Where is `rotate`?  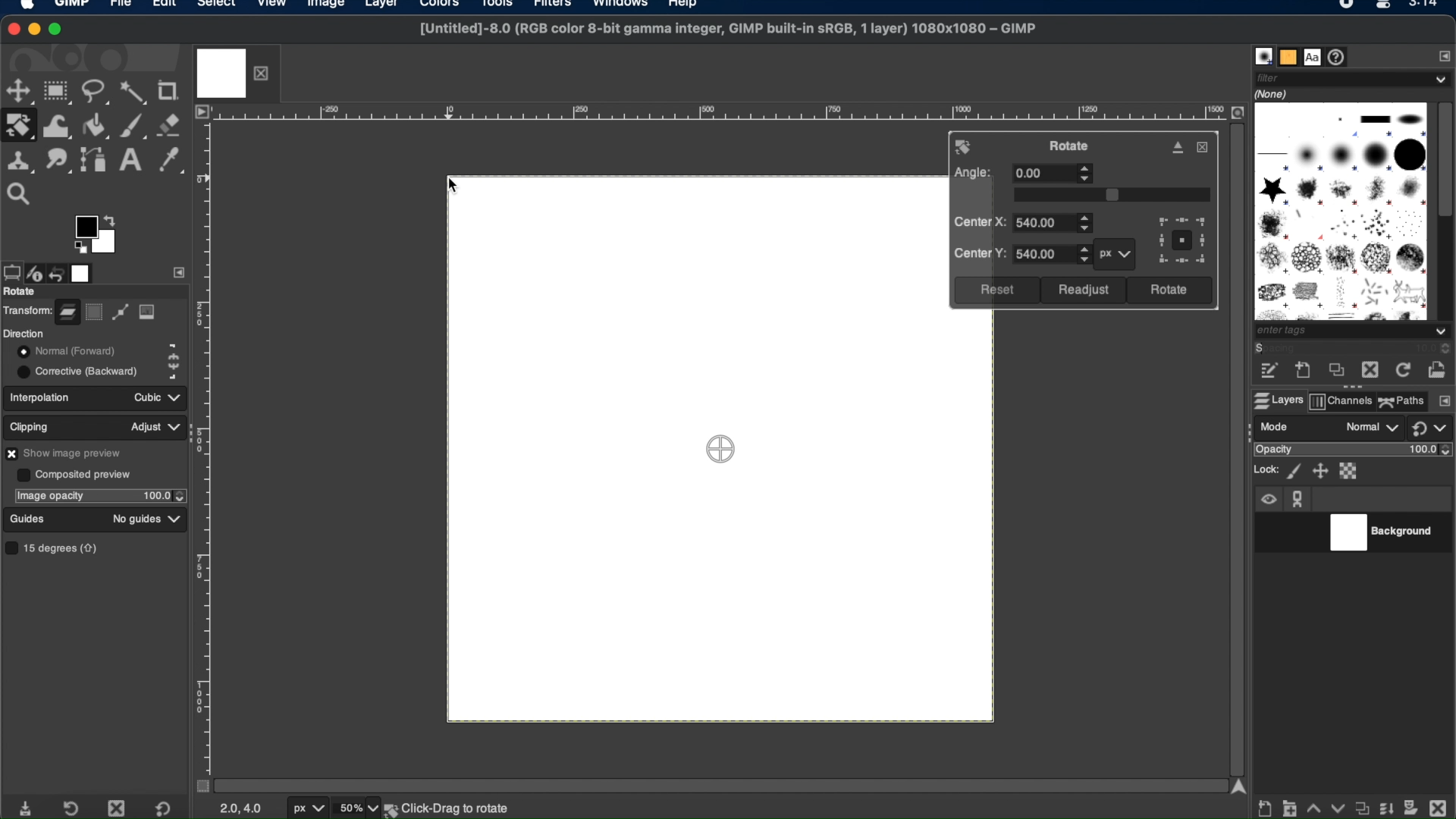 rotate is located at coordinates (1169, 290).